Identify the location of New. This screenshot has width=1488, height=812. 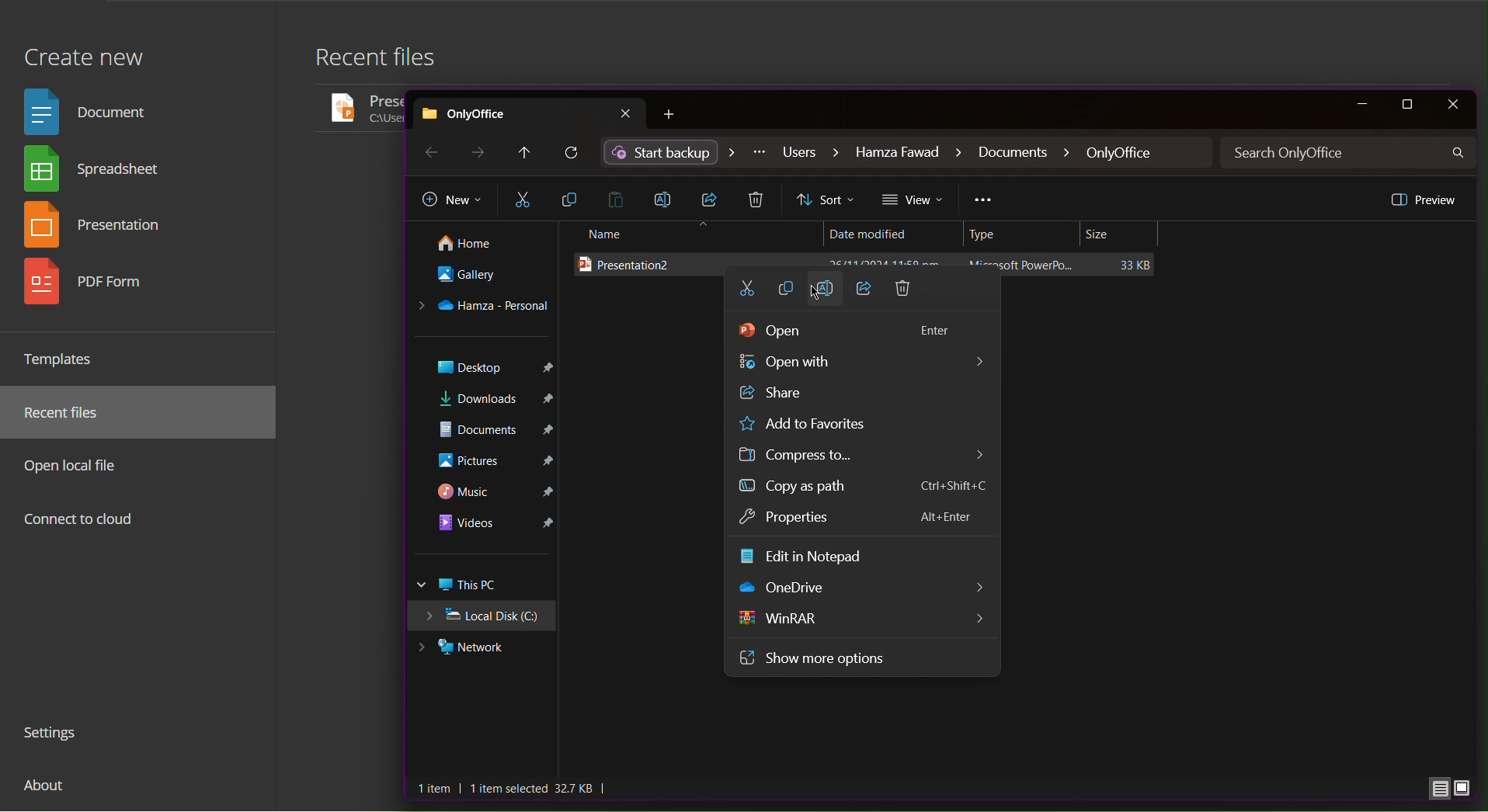
(452, 201).